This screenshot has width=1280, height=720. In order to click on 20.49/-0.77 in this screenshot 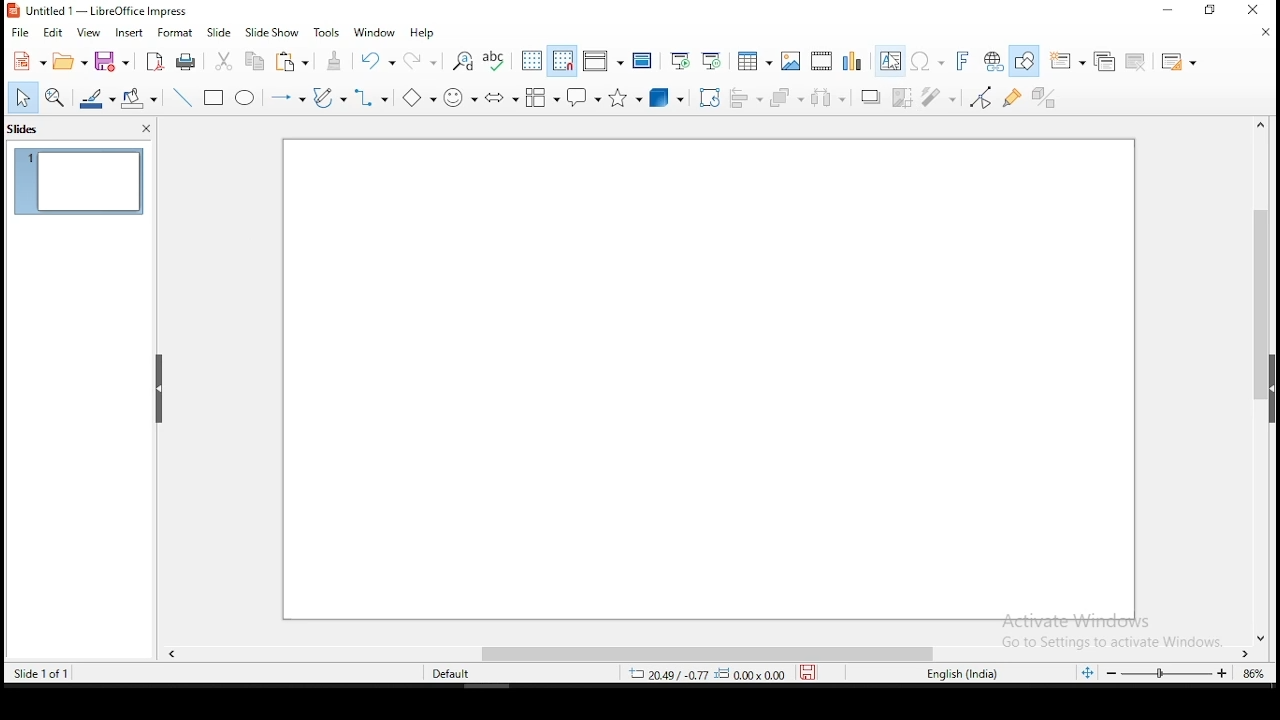, I will do `click(669, 676)`.